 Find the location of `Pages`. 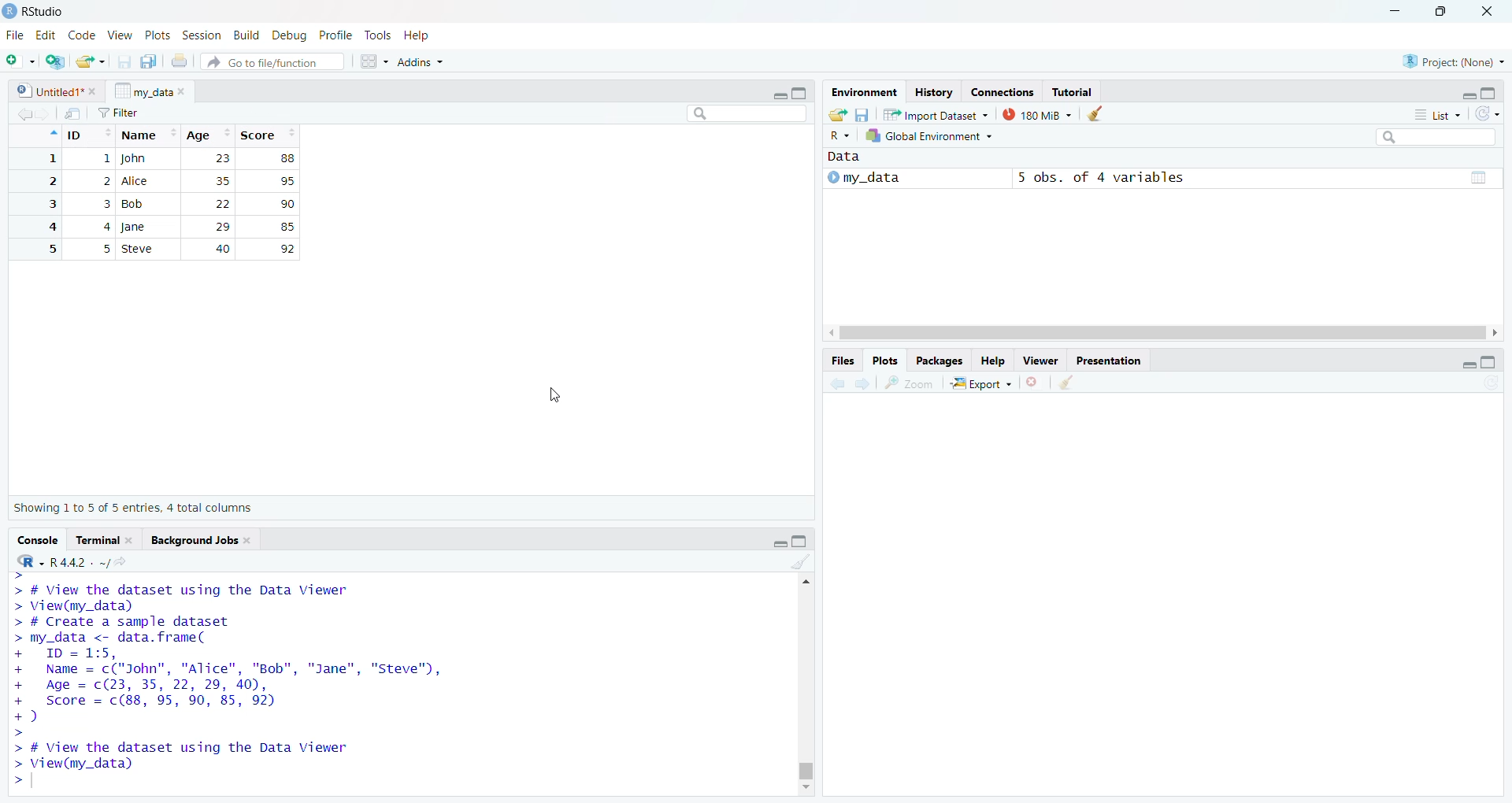

Pages is located at coordinates (1478, 178).